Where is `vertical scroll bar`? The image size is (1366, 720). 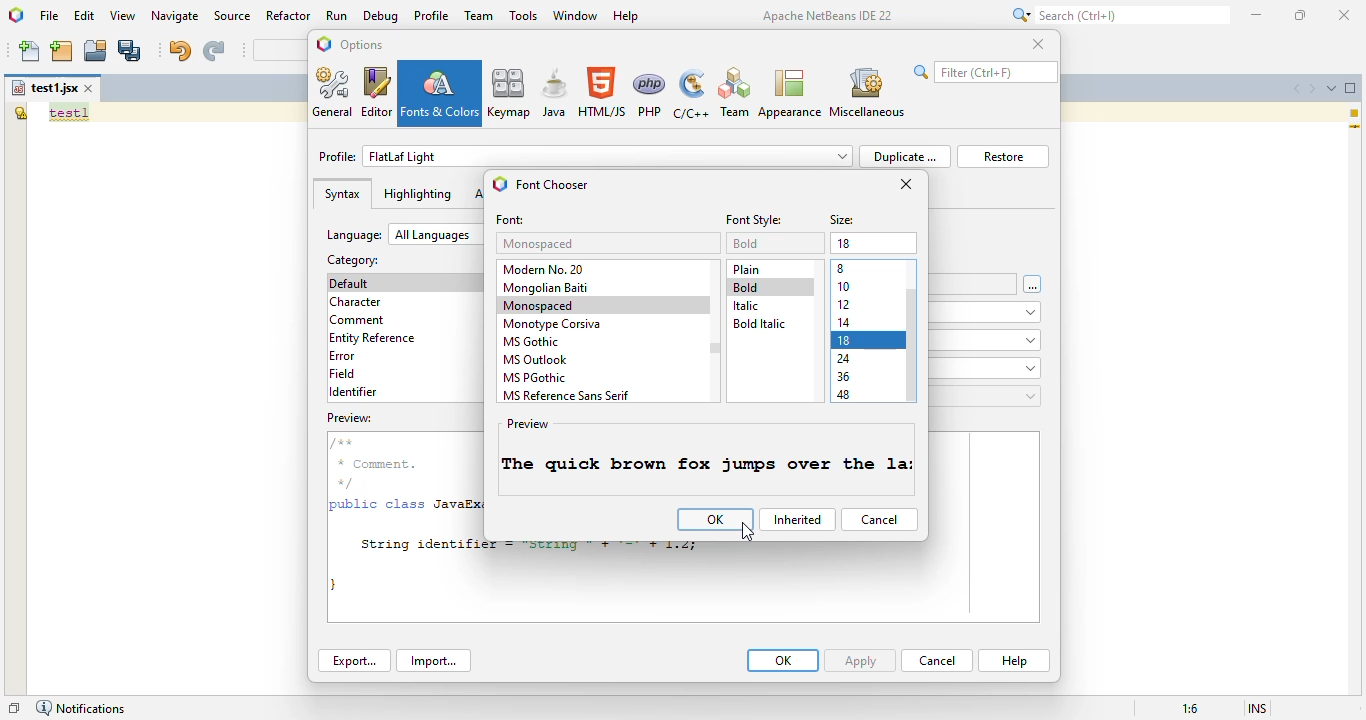
vertical scroll bar is located at coordinates (715, 347).